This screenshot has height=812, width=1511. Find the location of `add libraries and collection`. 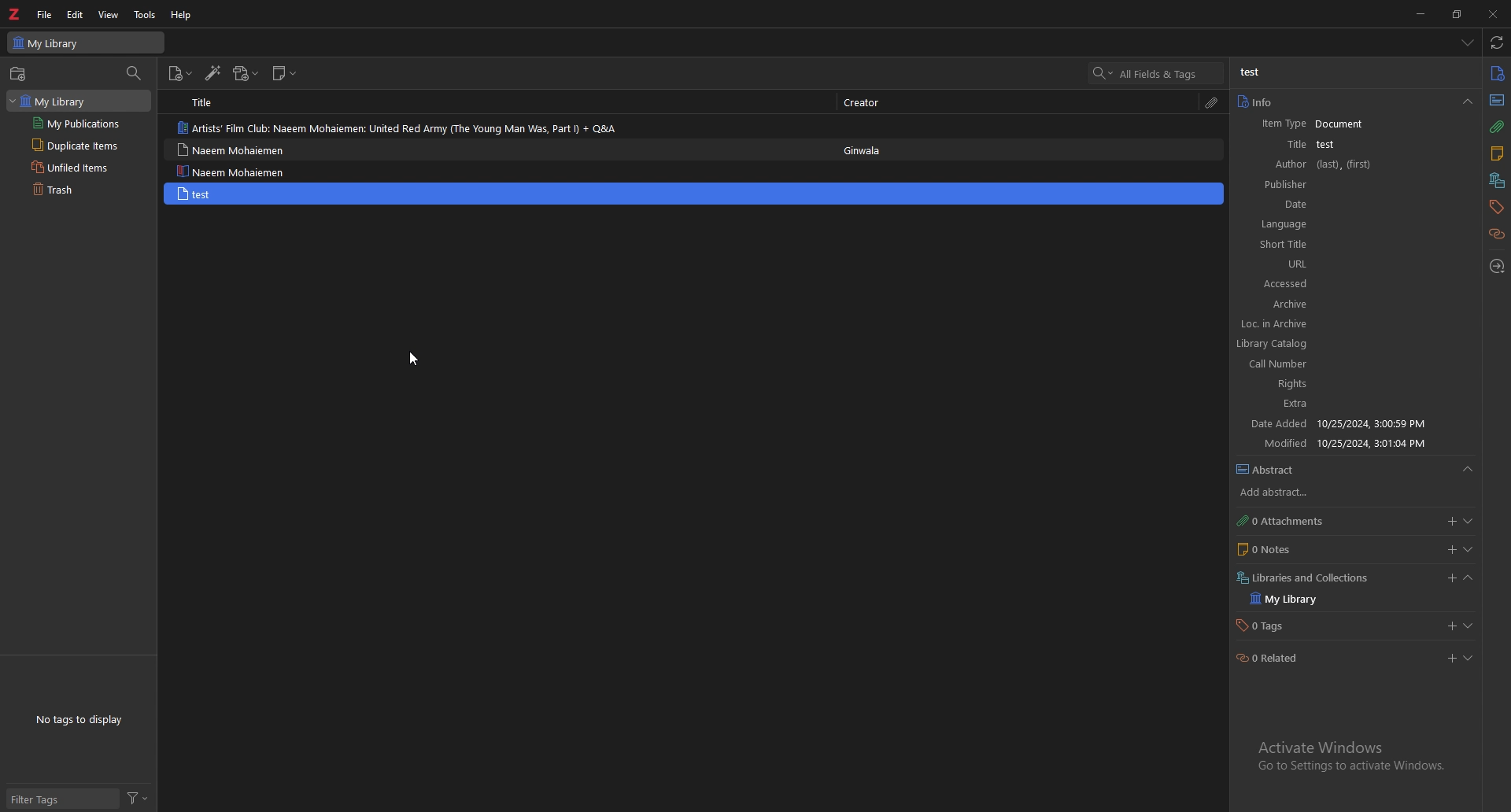

add libraries and collection is located at coordinates (1447, 660).